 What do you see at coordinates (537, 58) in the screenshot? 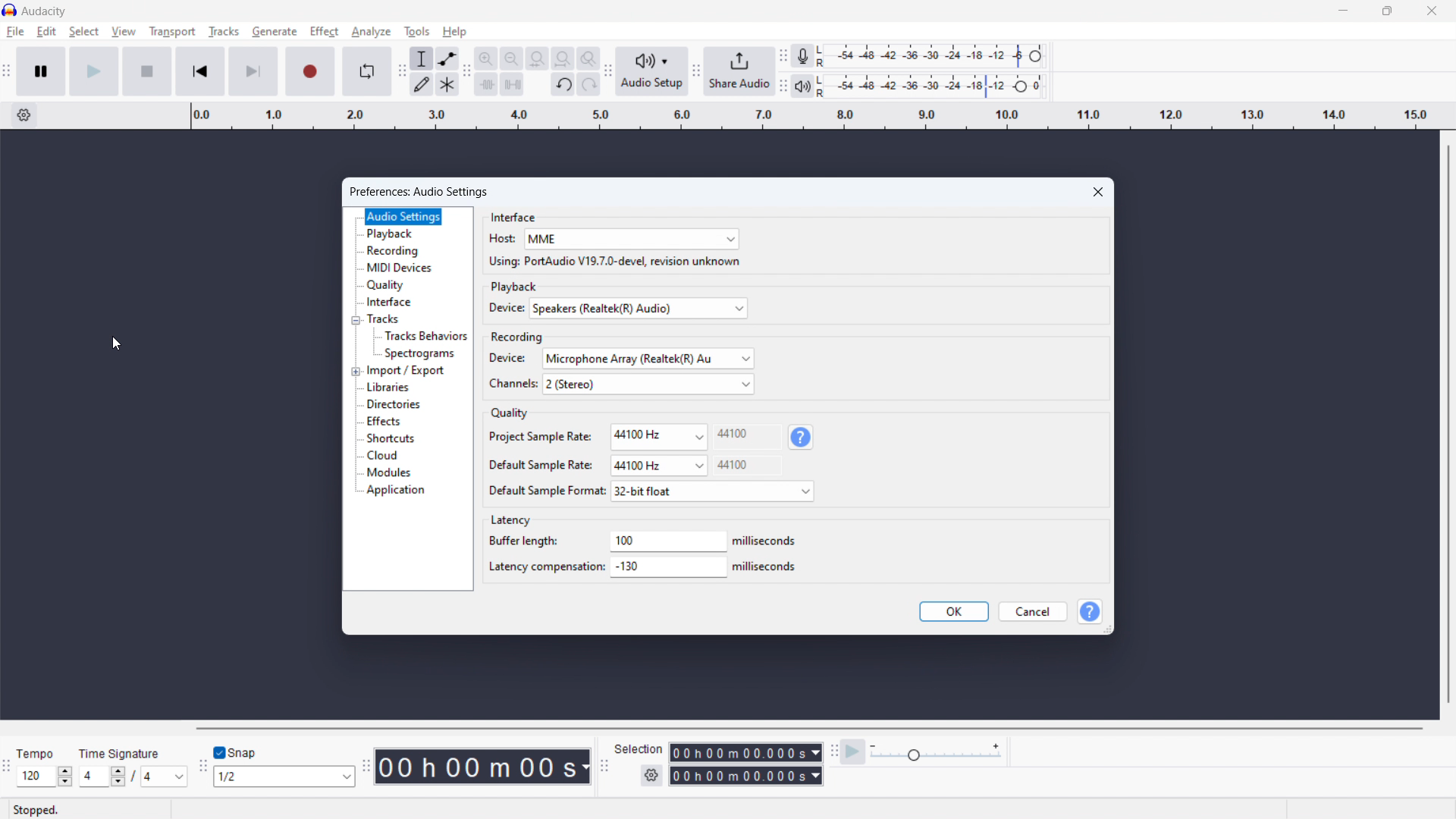
I see `fit selection to width` at bounding box center [537, 58].